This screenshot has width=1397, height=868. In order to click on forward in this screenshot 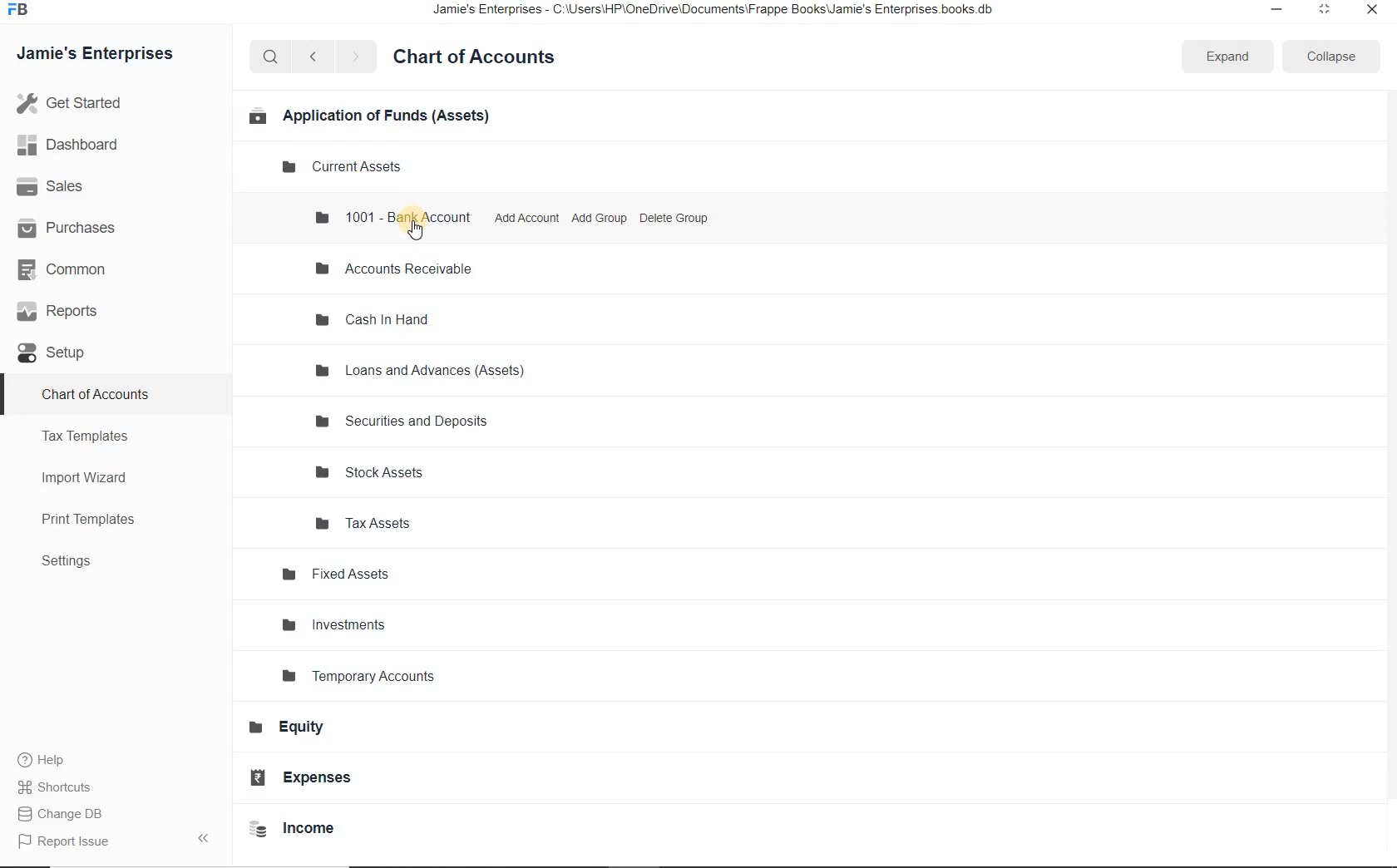, I will do `click(357, 57)`.